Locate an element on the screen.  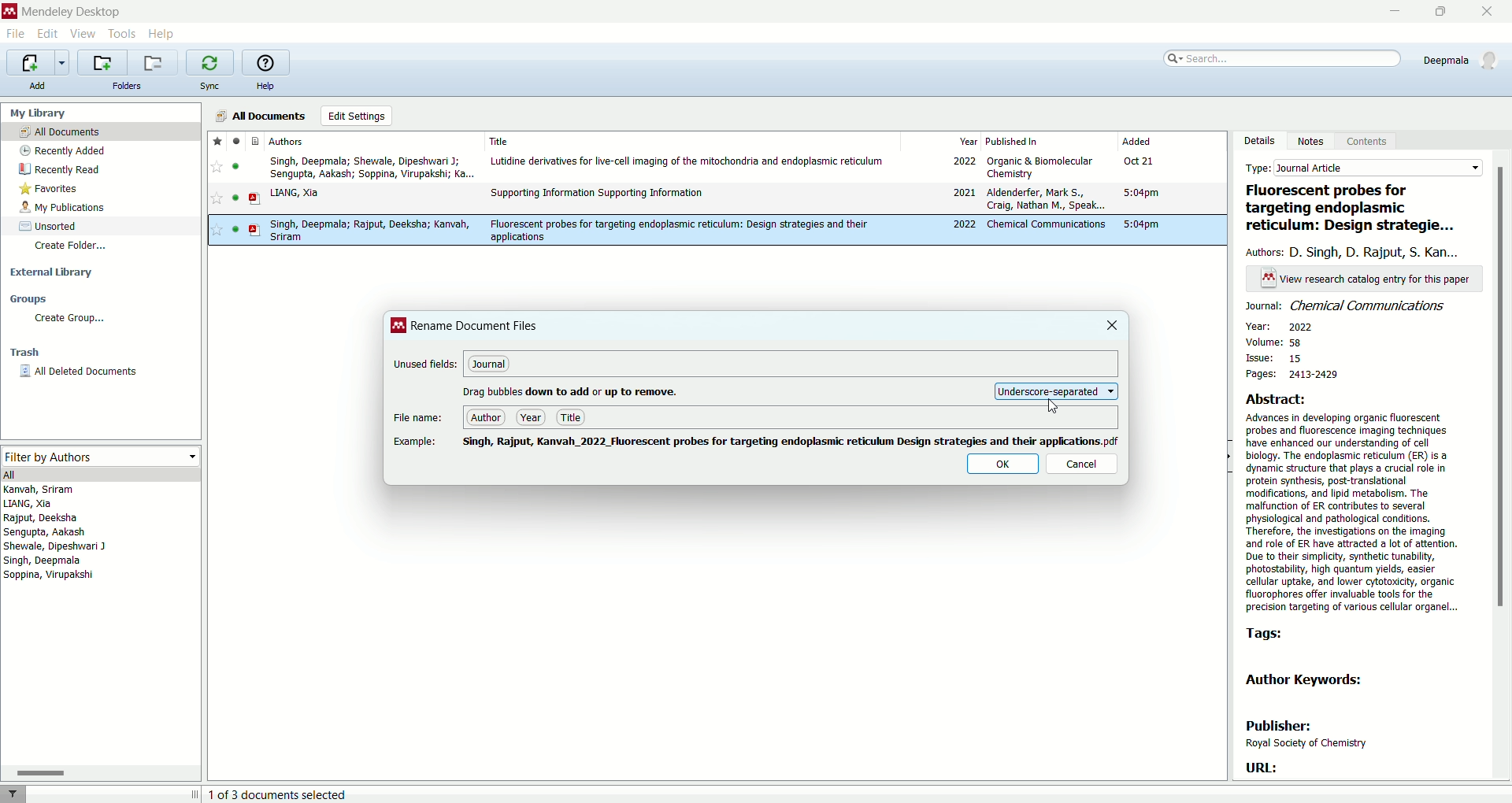
import is located at coordinates (38, 62).